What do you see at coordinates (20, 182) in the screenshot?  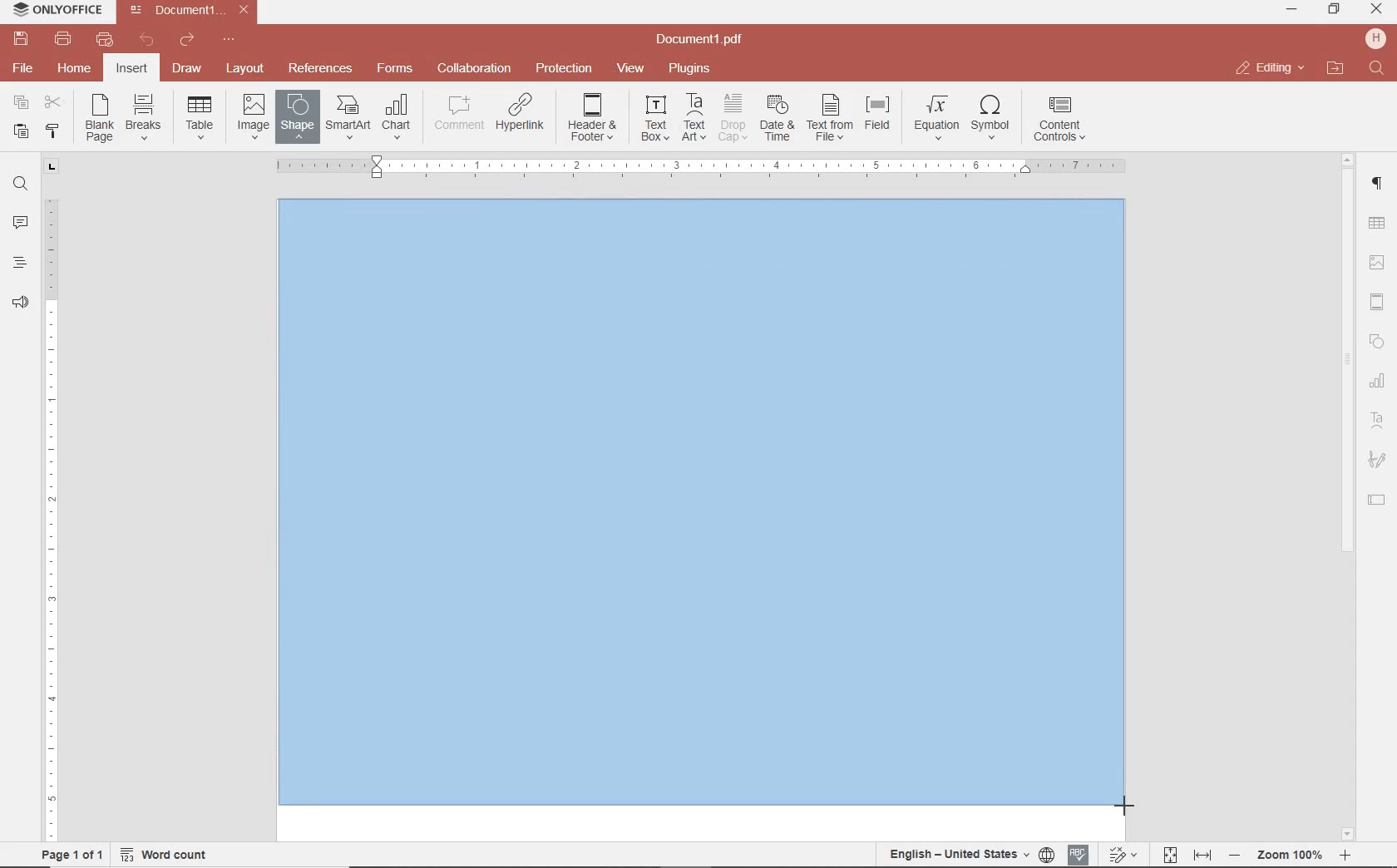 I see `find` at bounding box center [20, 182].